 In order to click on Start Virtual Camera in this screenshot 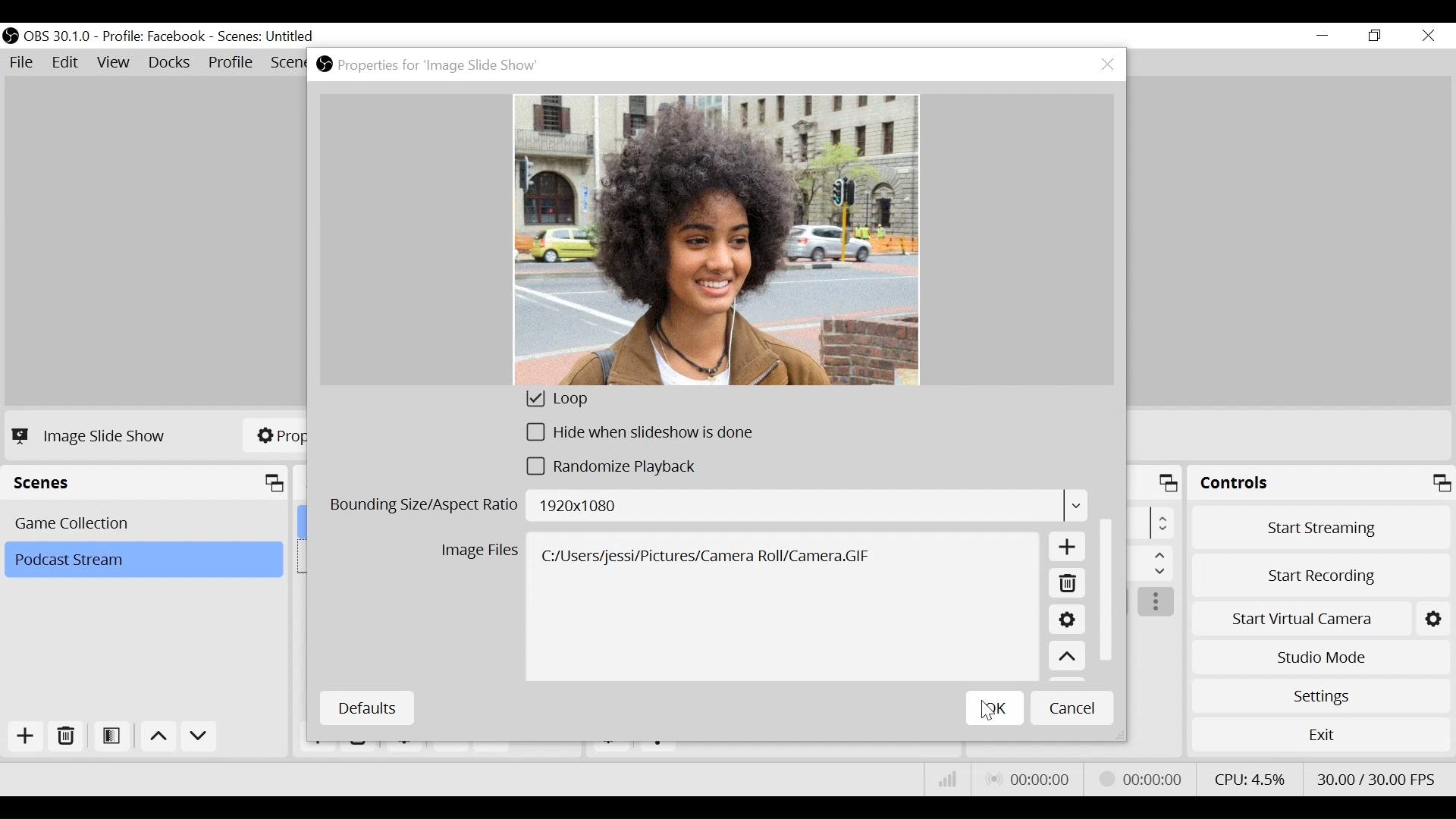, I will do `click(1321, 616)`.